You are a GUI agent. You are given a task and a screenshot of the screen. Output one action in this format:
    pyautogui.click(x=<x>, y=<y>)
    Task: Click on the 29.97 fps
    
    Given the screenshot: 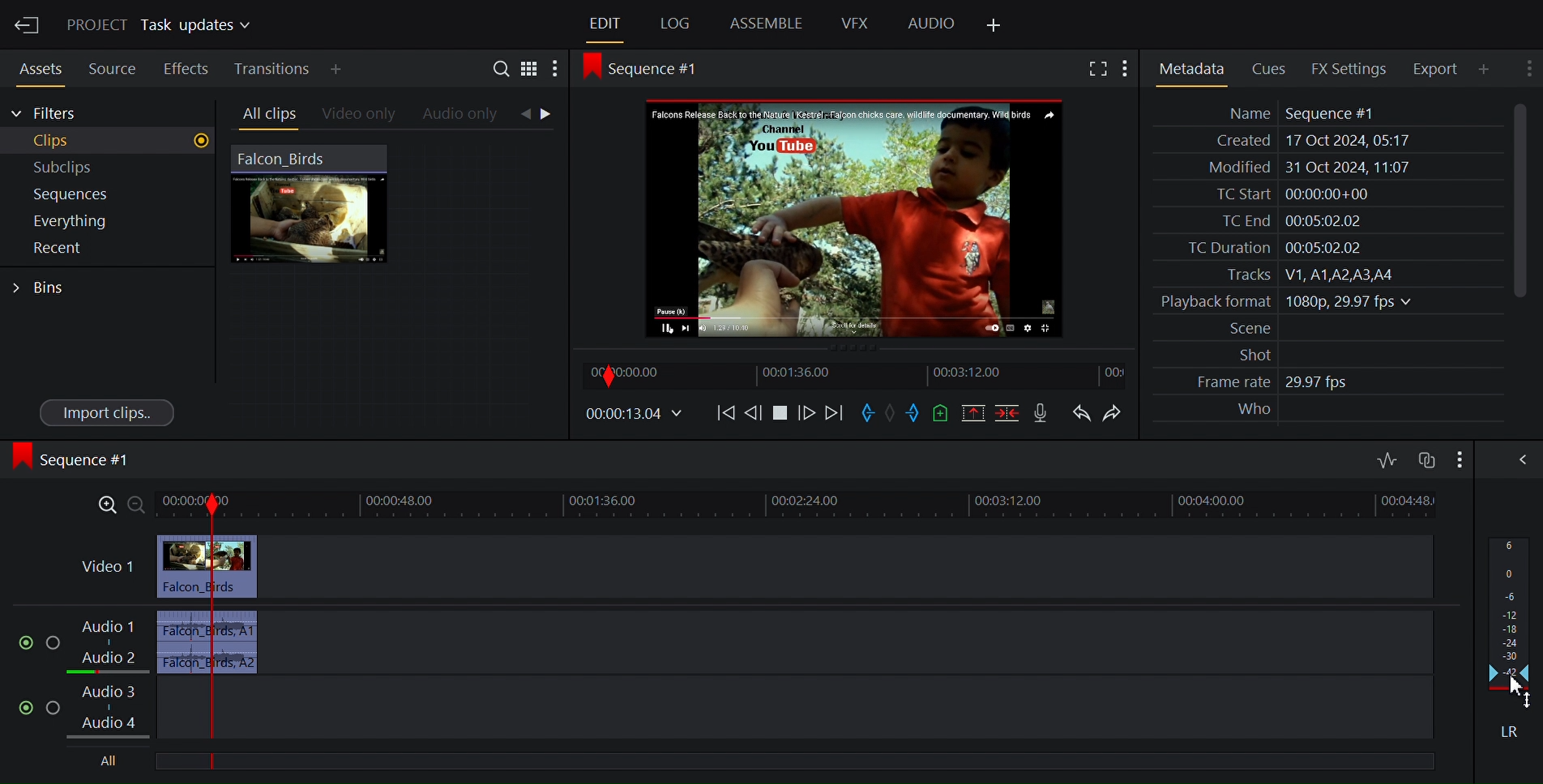 What is the action you would take?
    pyautogui.click(x=1321, y=383)
    